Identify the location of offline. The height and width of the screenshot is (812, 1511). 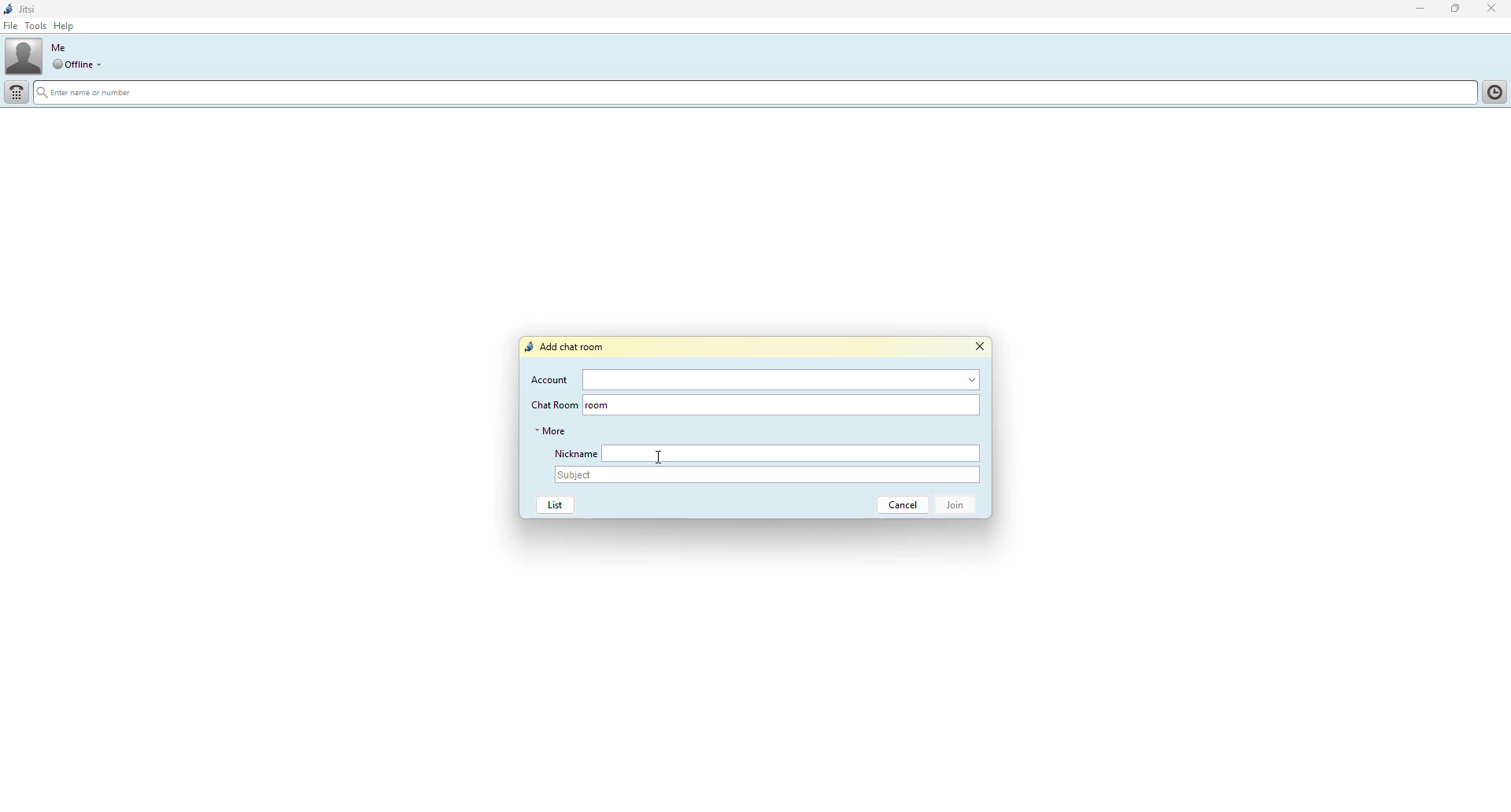
(72, 65).